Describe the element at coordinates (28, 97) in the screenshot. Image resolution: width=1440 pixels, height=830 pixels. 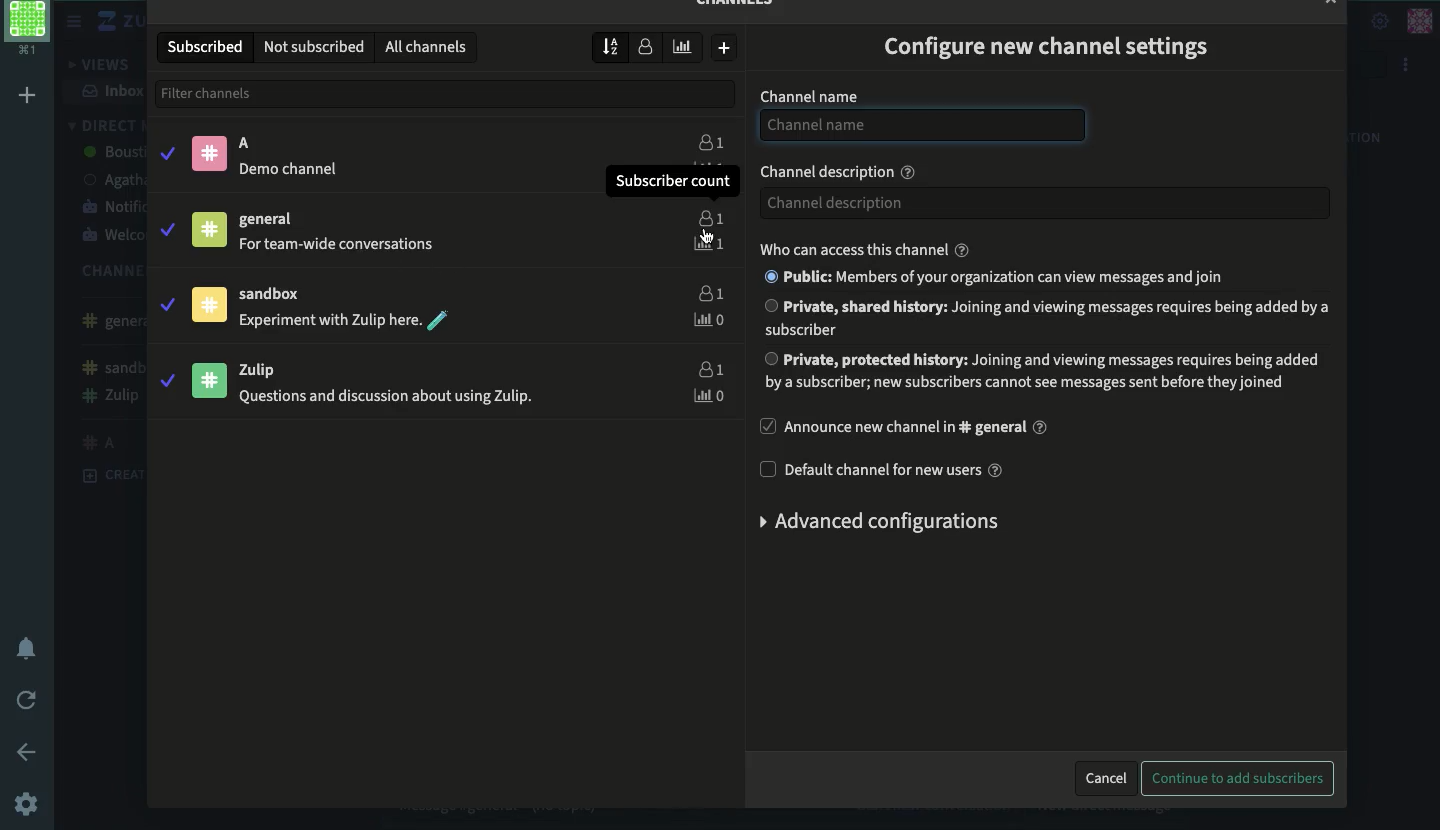
I see `add workspace` at that location.